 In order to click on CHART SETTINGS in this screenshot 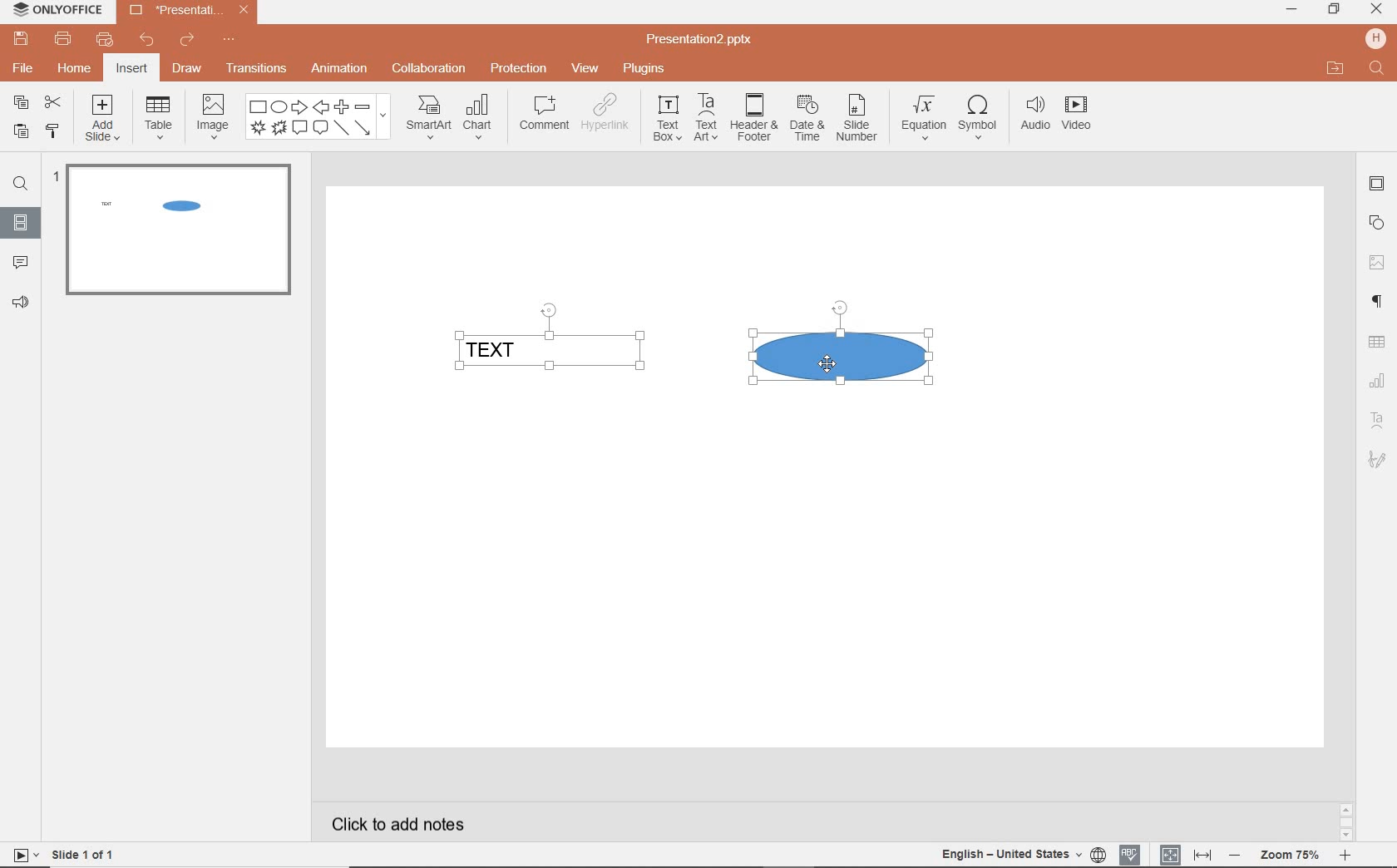, I will do `click(1378, 382)`.